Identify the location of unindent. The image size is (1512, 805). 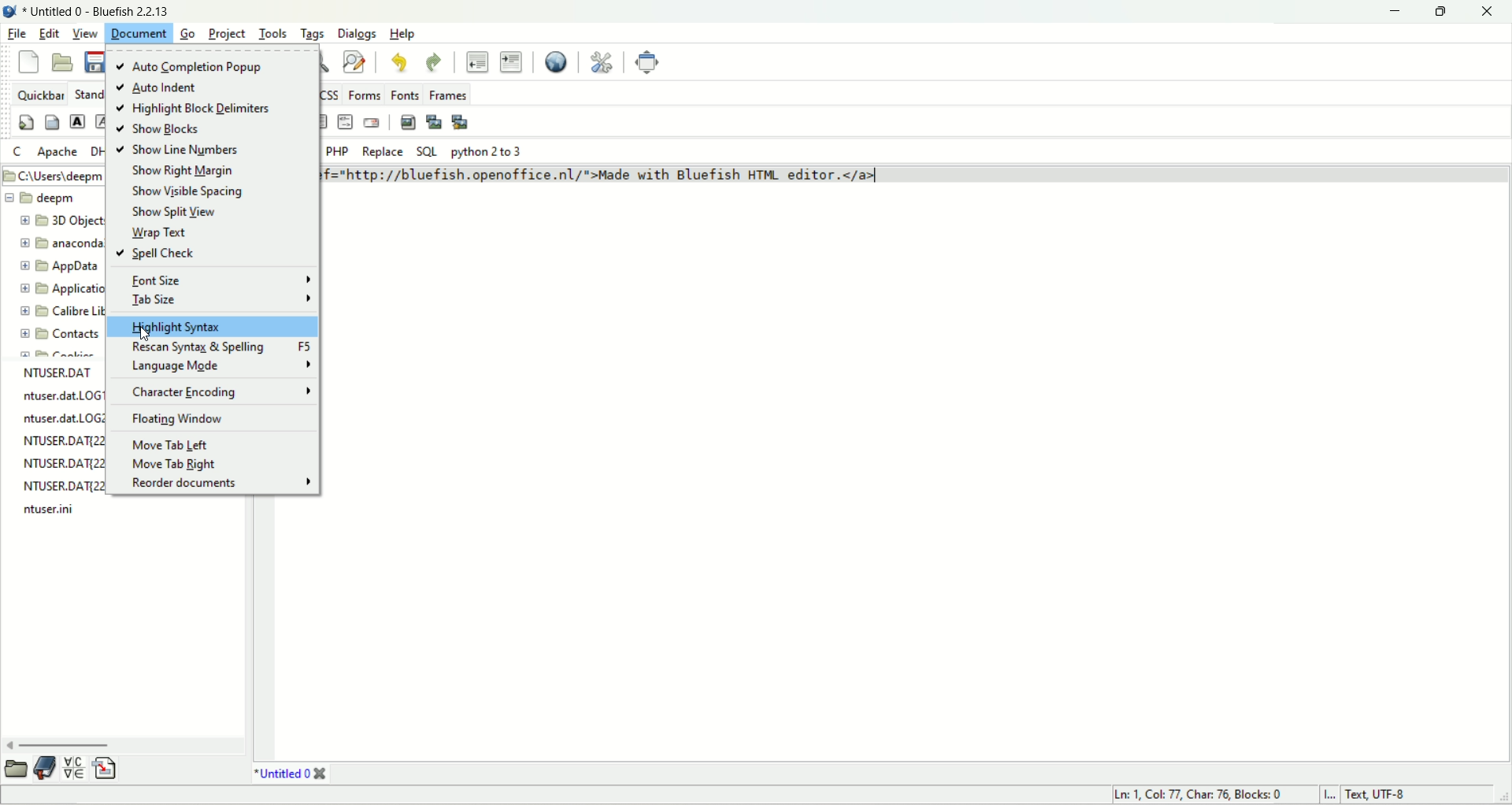
(474, 61).